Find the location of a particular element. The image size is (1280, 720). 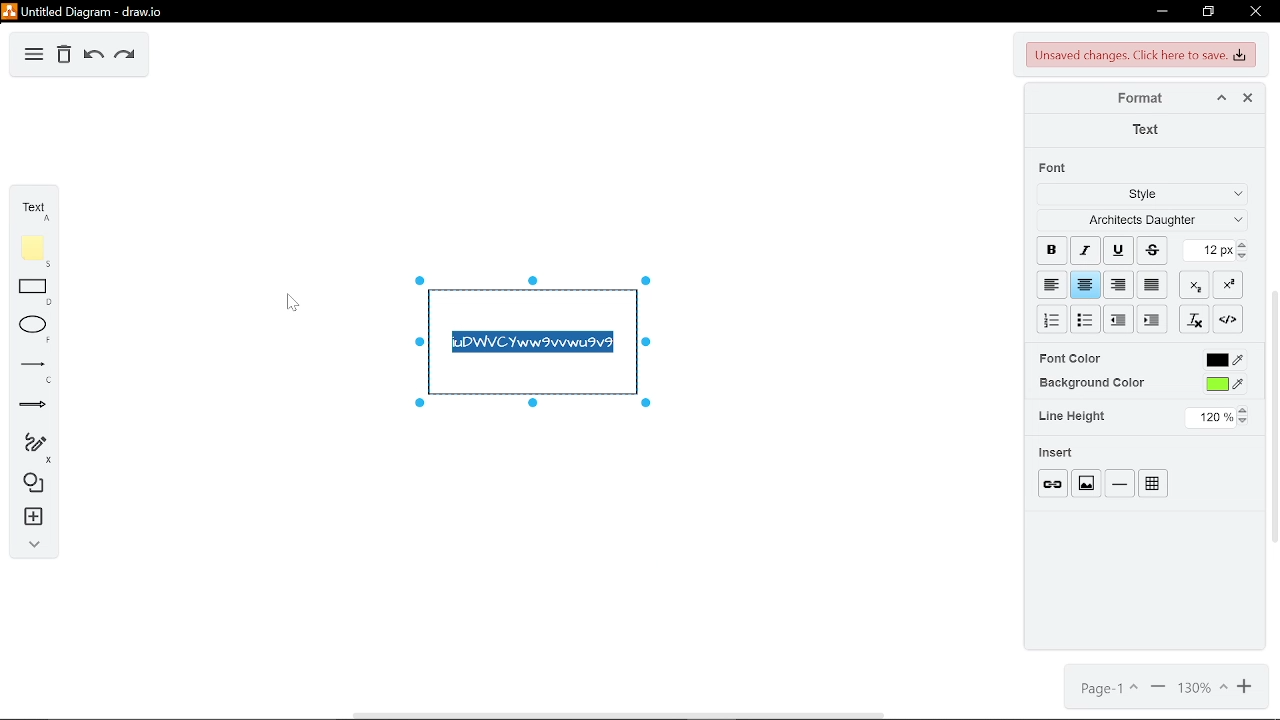

subscript is located at coordinates (1197, 284).